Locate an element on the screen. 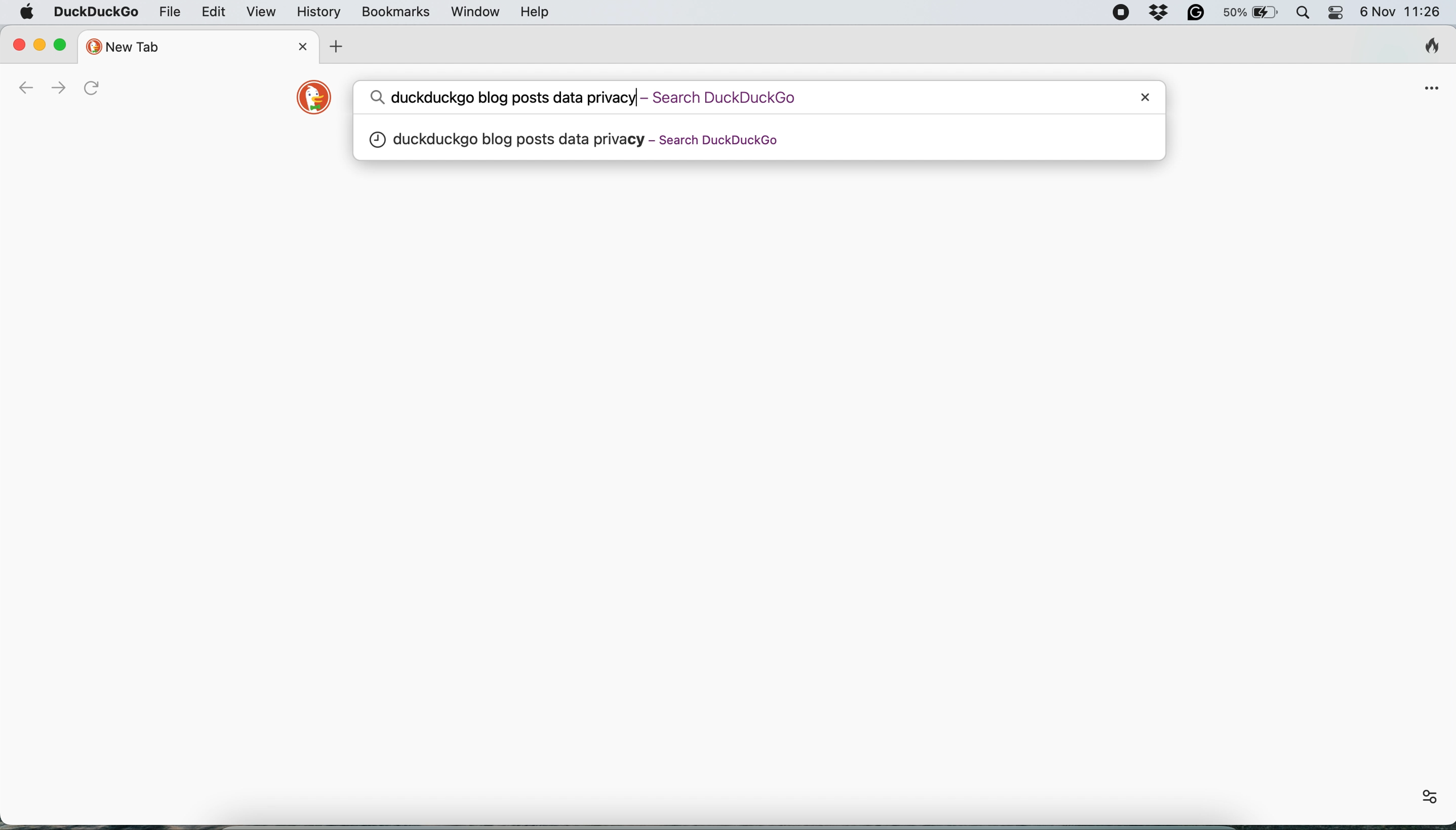  bookmarks is located at coordinates (394, 11).